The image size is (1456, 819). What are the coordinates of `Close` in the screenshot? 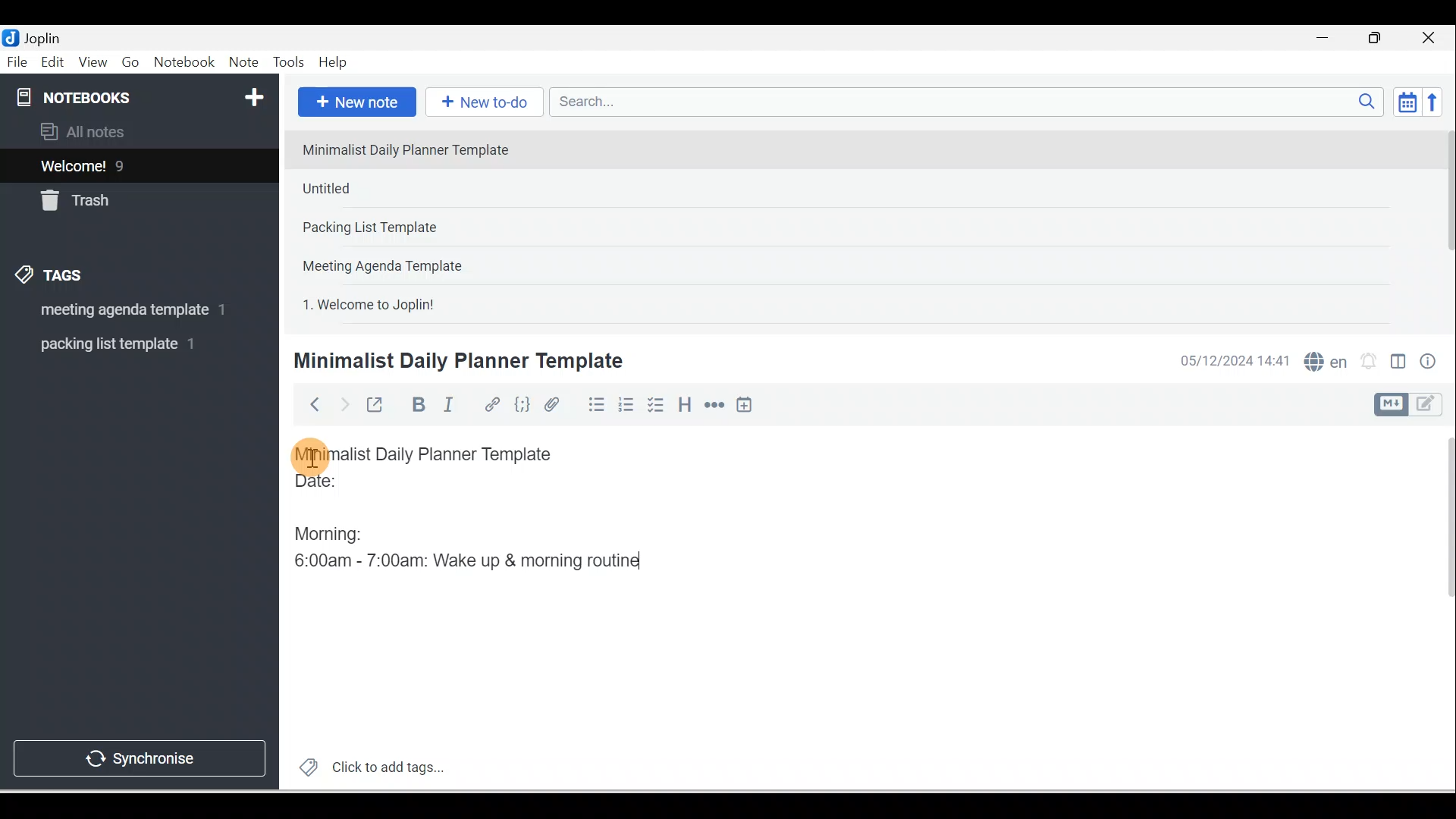 It's located at (1432, 38).